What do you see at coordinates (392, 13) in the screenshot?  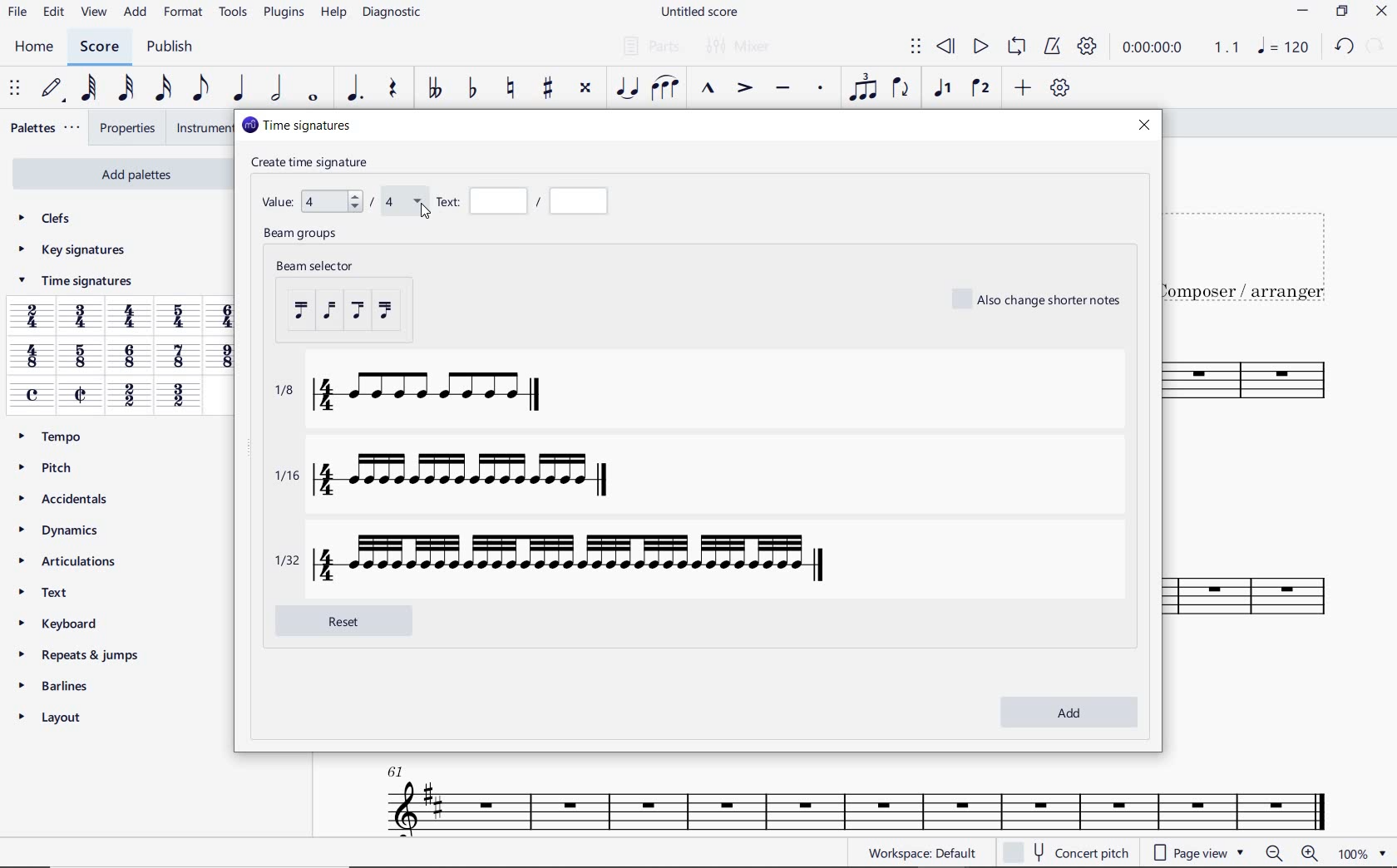 I see `DIAGNOSTIC` at bounding box center [392, 13].